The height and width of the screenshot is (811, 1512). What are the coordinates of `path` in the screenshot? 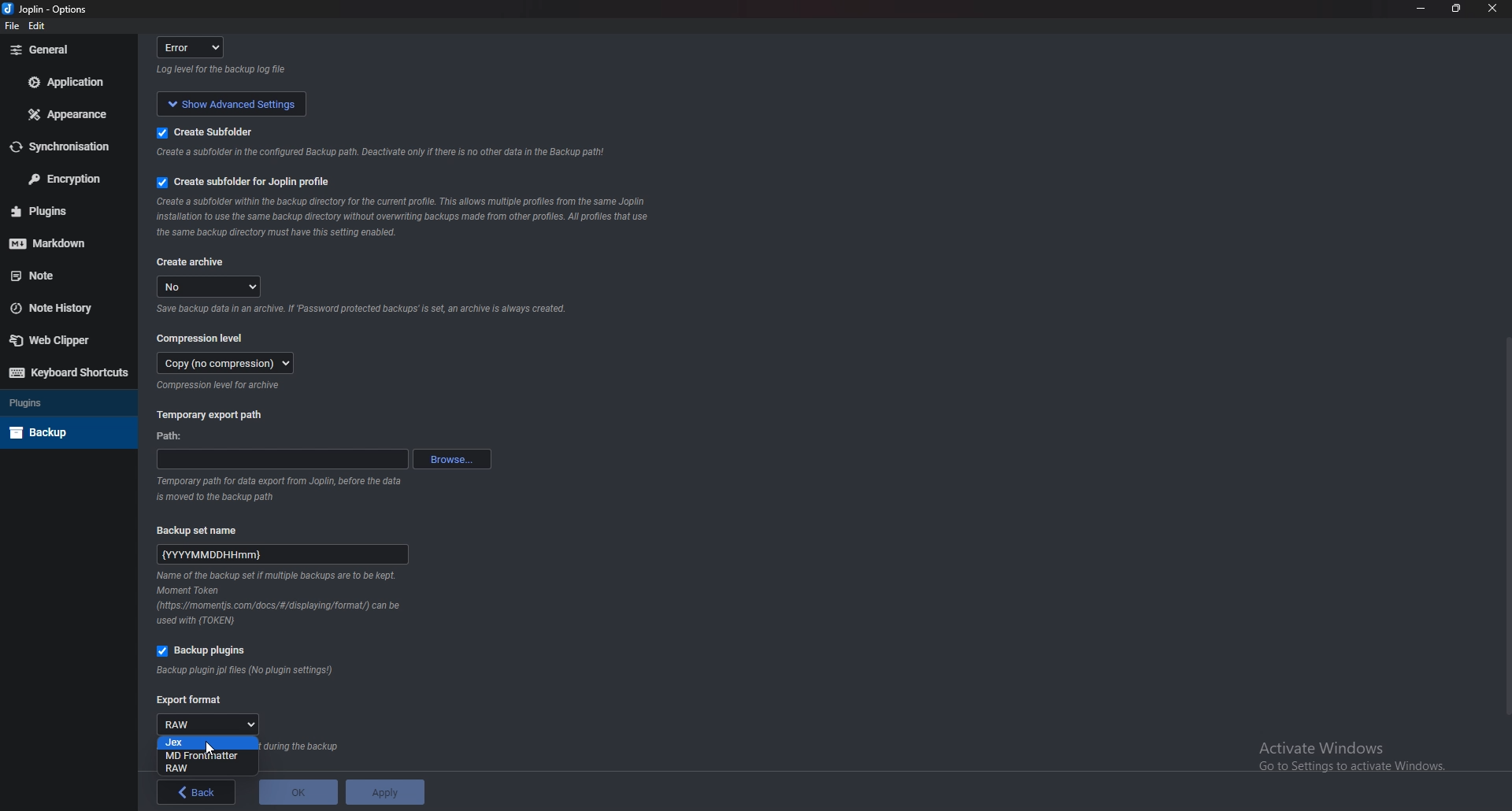 It's located at (174, 438).